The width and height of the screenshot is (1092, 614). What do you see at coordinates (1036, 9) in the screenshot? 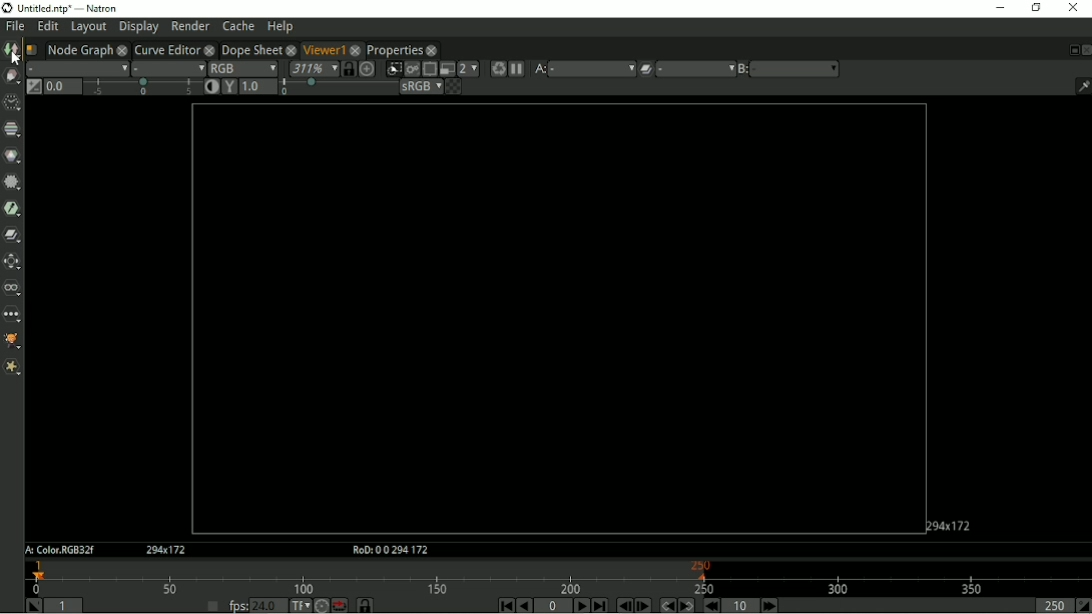
I see `Restore down` at bounding box center [1036, 9].